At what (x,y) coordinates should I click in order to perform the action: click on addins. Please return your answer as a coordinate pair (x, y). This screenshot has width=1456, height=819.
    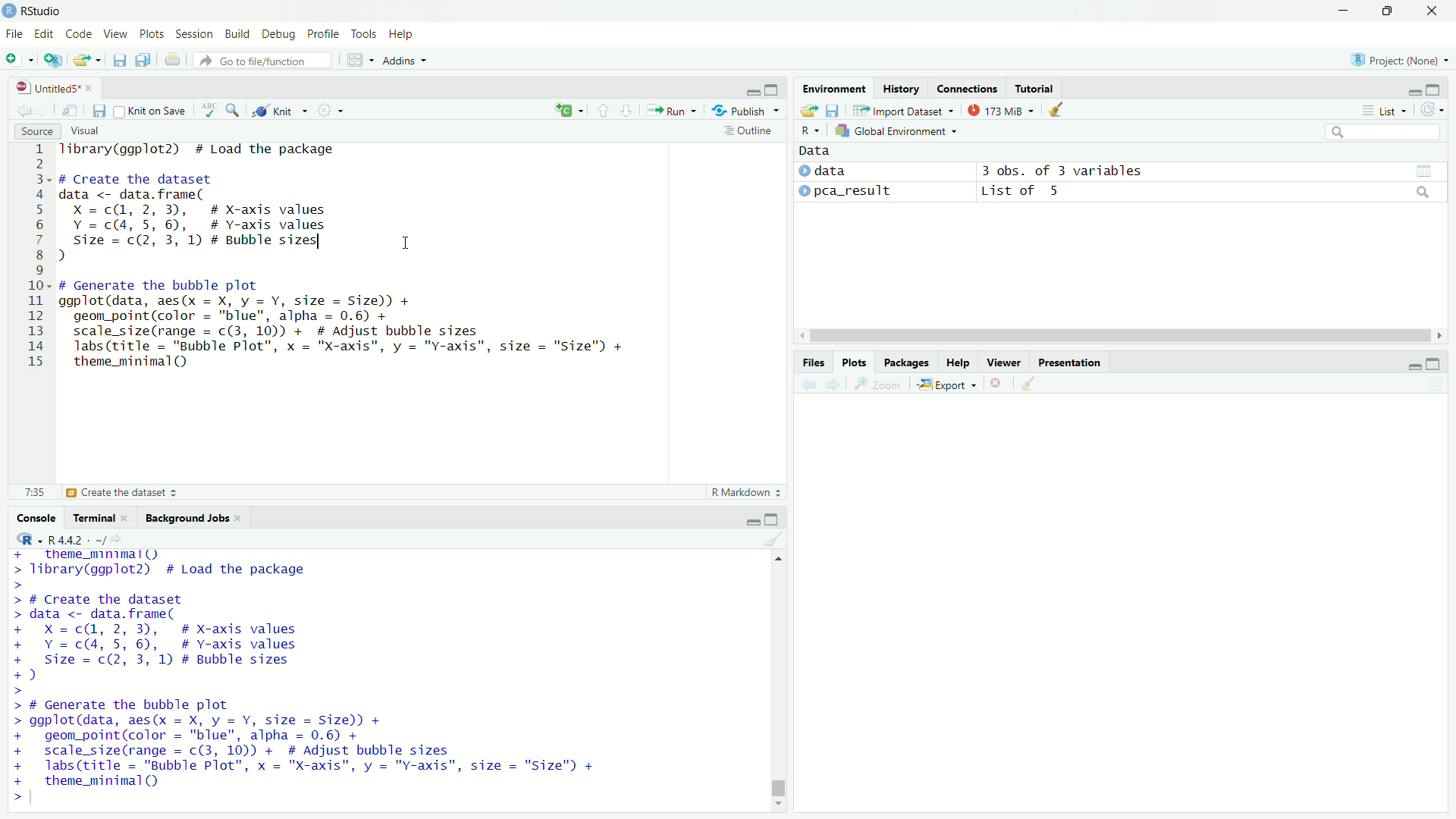
    Looking at the image, I should click on (403, 61).